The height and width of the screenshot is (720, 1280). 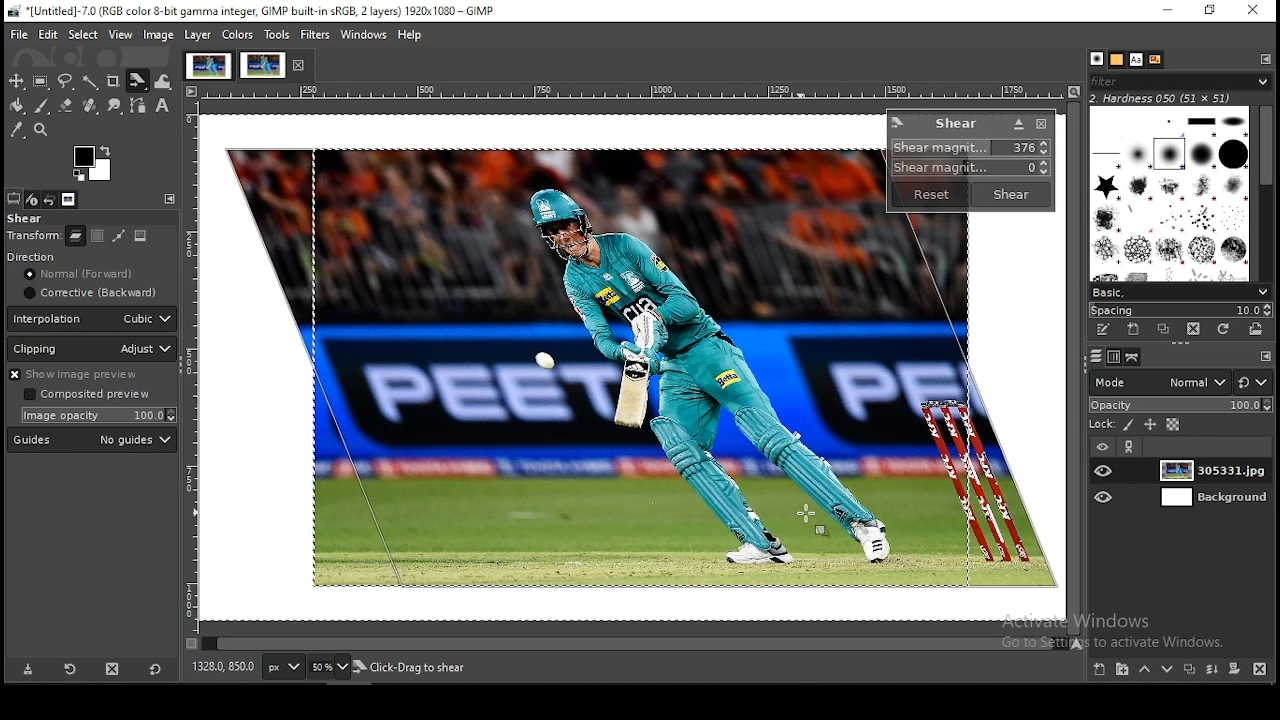 What do you see at coordinates (1018, 124) in the screenshot?
I see `` at bounding box center [1018, 124].